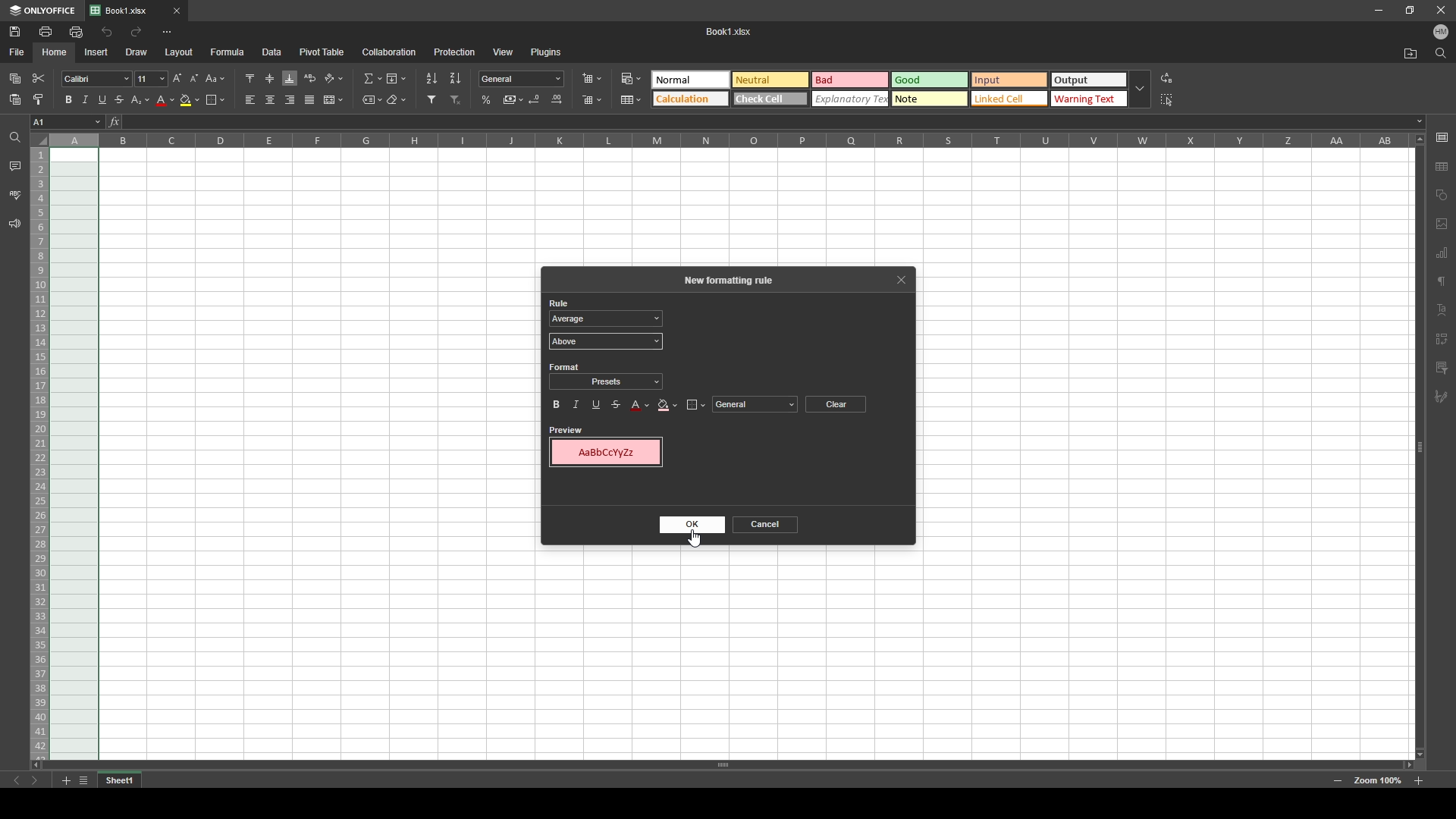 The image size is (1456, 819). I want to click on cancel, so click(765, 524).